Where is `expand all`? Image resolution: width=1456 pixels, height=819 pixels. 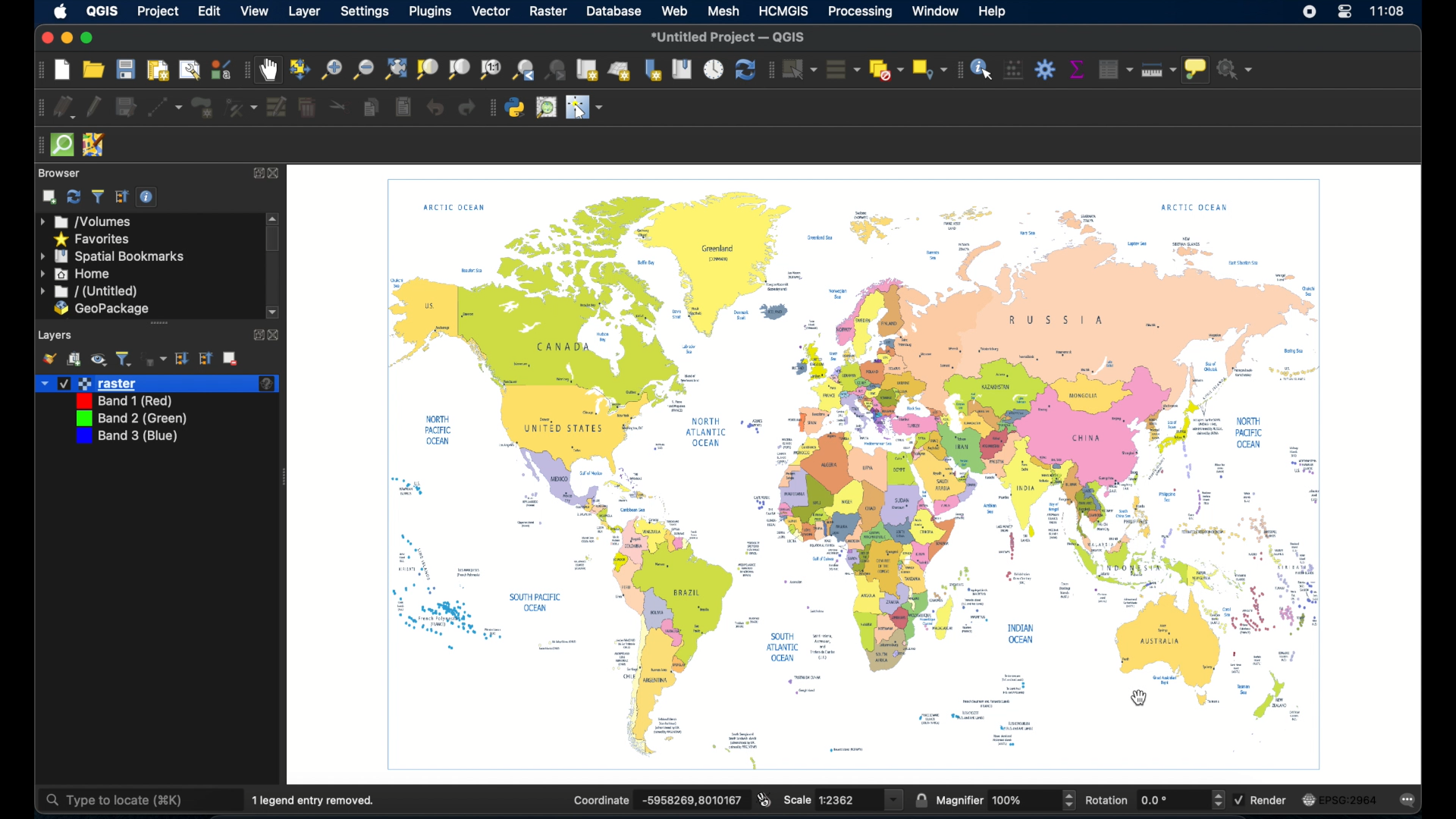
expand all is located at coordinates (183, 359).